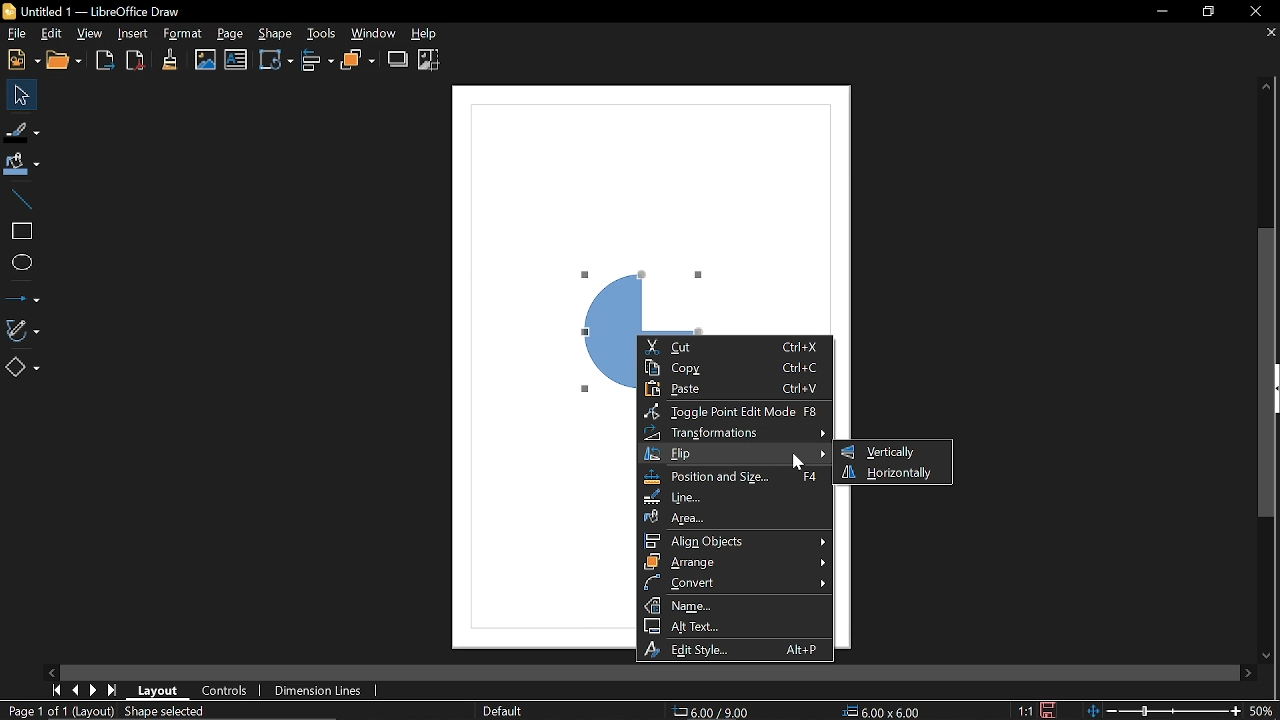 This screenshot has width=1280, height=720. Describe the element at coordinates (735, 368) in the screenshot. I see `Copy` at that location.